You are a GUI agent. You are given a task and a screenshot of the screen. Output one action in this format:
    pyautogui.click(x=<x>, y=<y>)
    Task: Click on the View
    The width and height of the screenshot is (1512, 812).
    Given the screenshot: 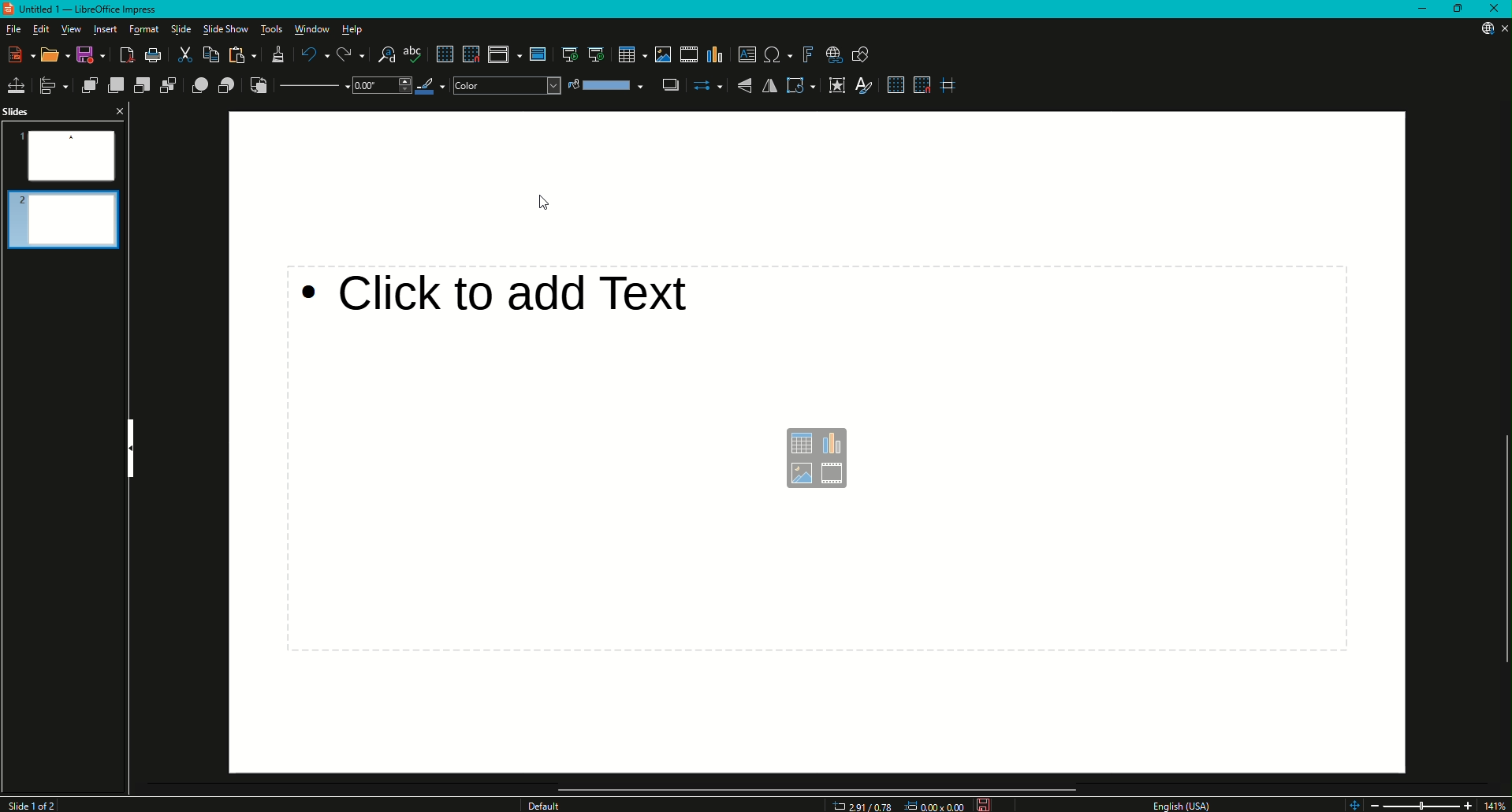 What is the action you would take?
    pyautogui.click(x=72, y=29)
    